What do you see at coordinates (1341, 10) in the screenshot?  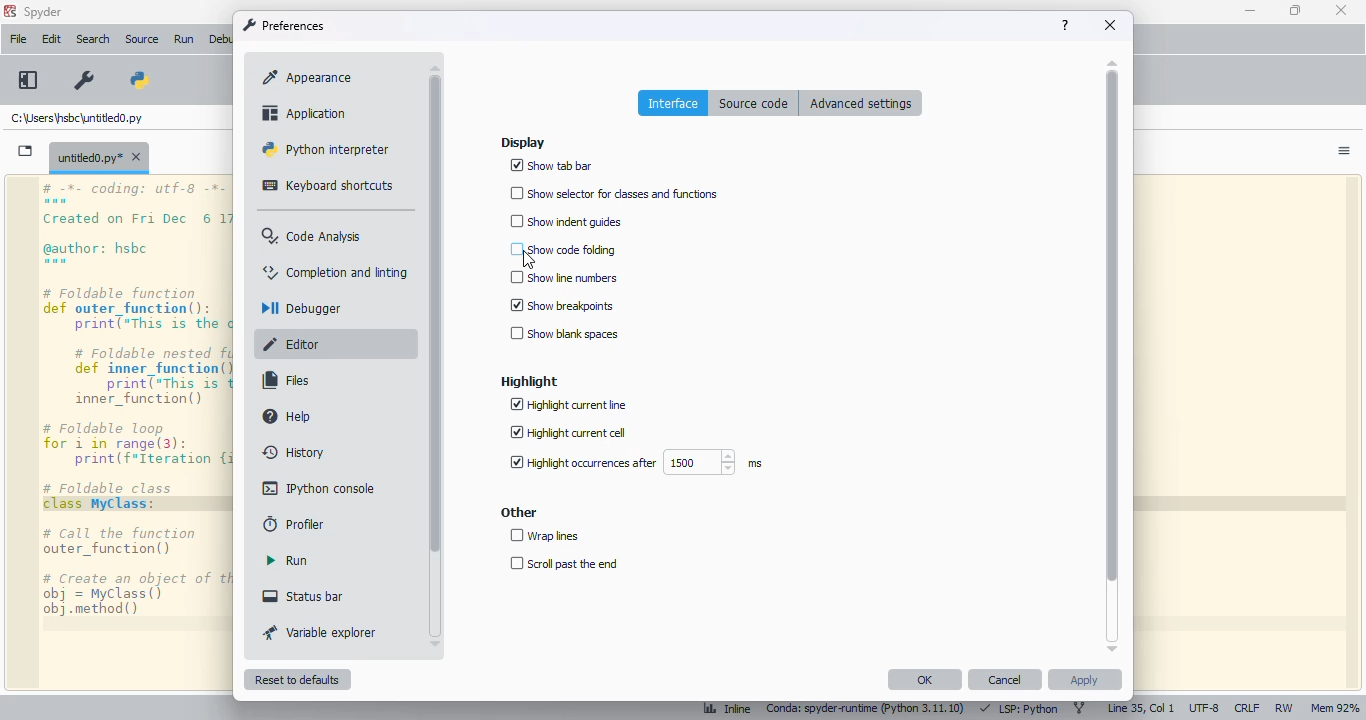 I see `close` at bounding box center [1341, 10].